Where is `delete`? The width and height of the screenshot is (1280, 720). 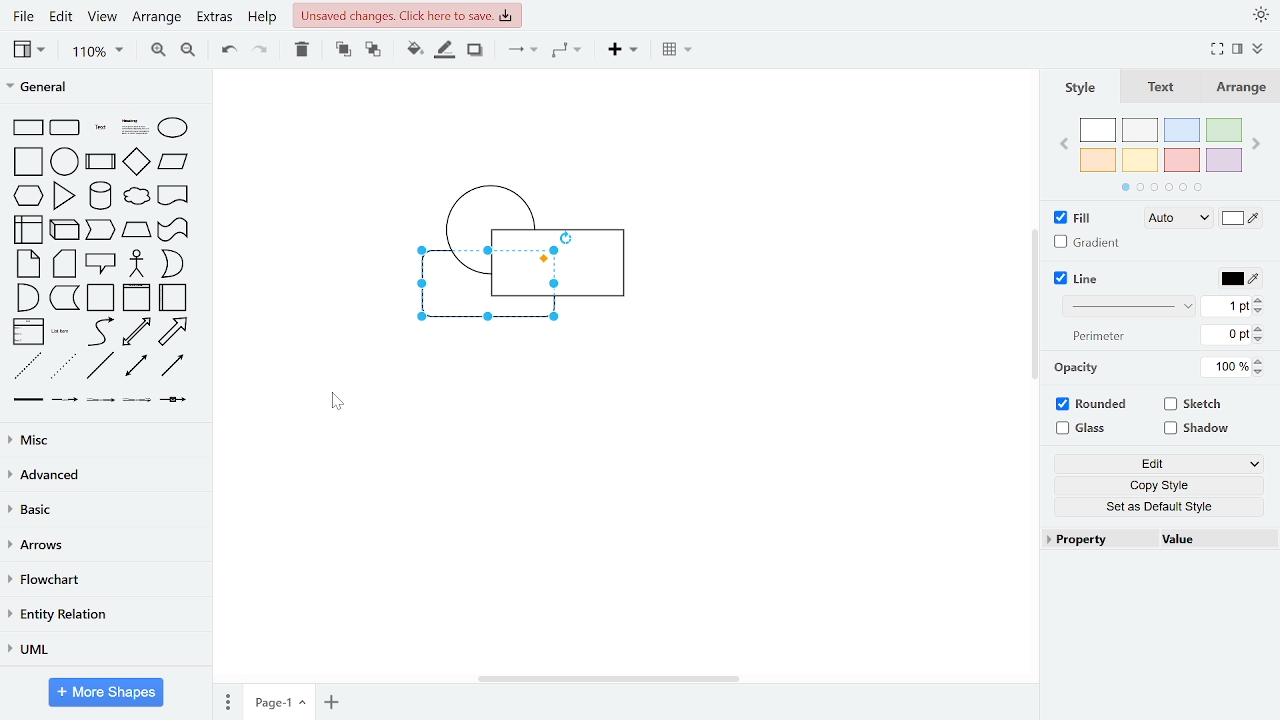
delete is located at coordinates (302, 53).